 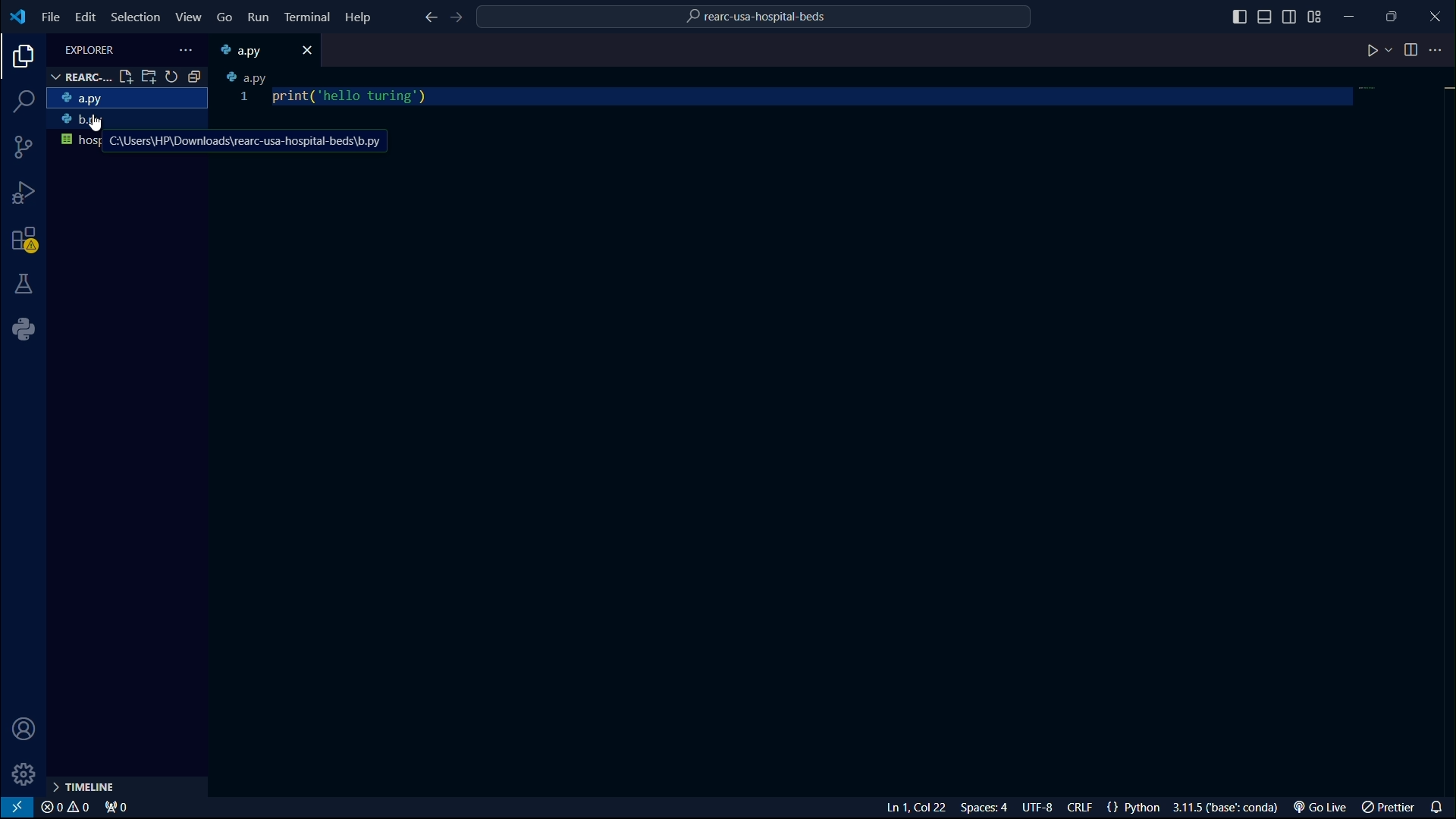 I want to click on prettier extension, so click(x=1389, y=807).